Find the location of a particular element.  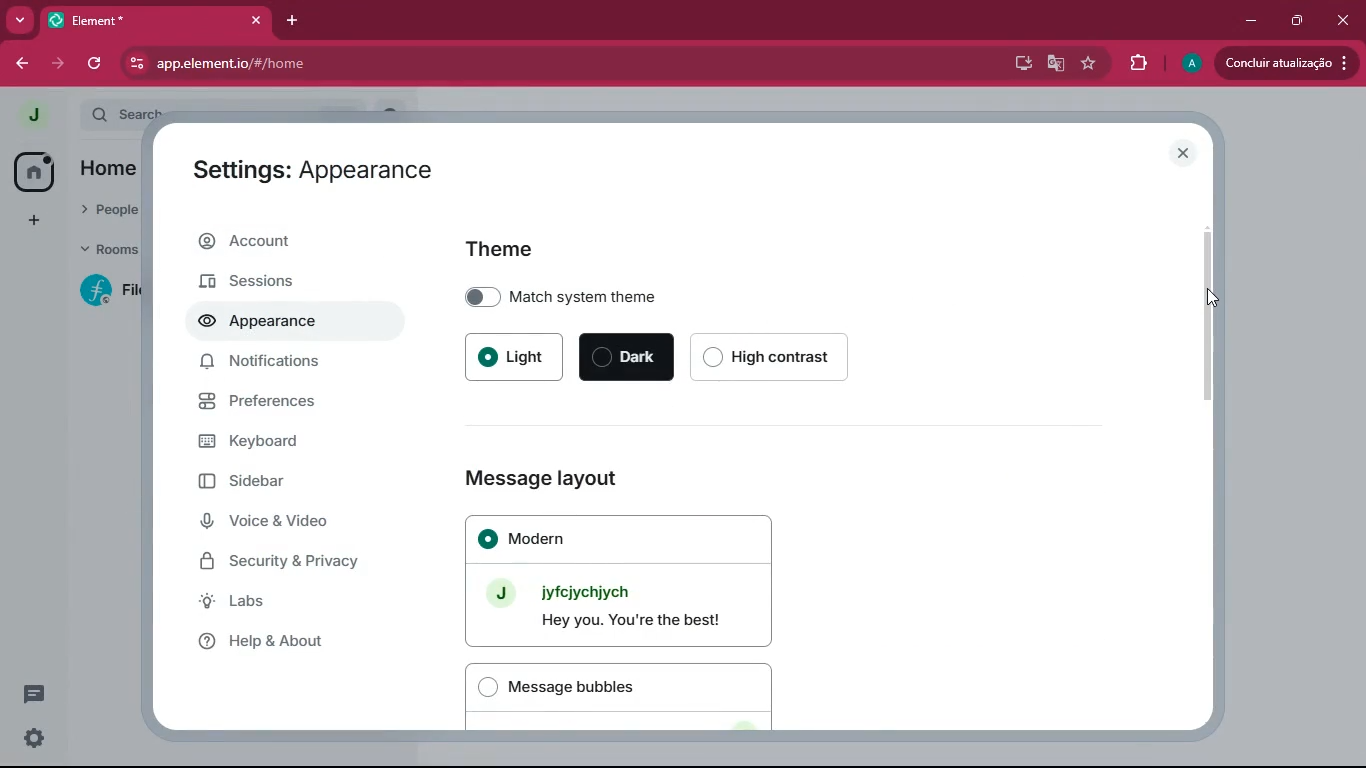

home is located at coordinates (27, 170).